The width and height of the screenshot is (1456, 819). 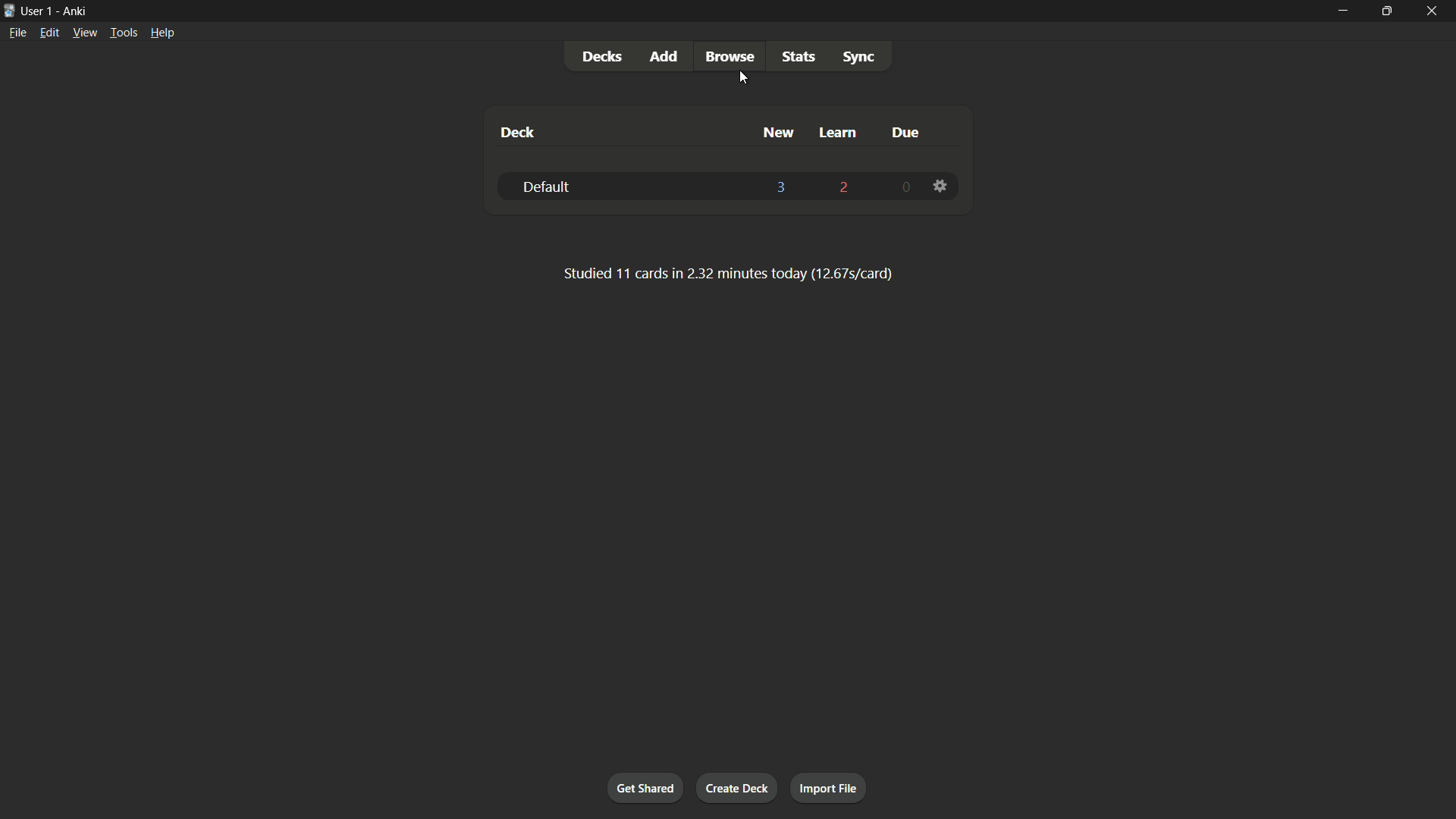 What do you see at coordinates (783, 188) in the screenshot?
I see `3` at bounding box center [783, 188].